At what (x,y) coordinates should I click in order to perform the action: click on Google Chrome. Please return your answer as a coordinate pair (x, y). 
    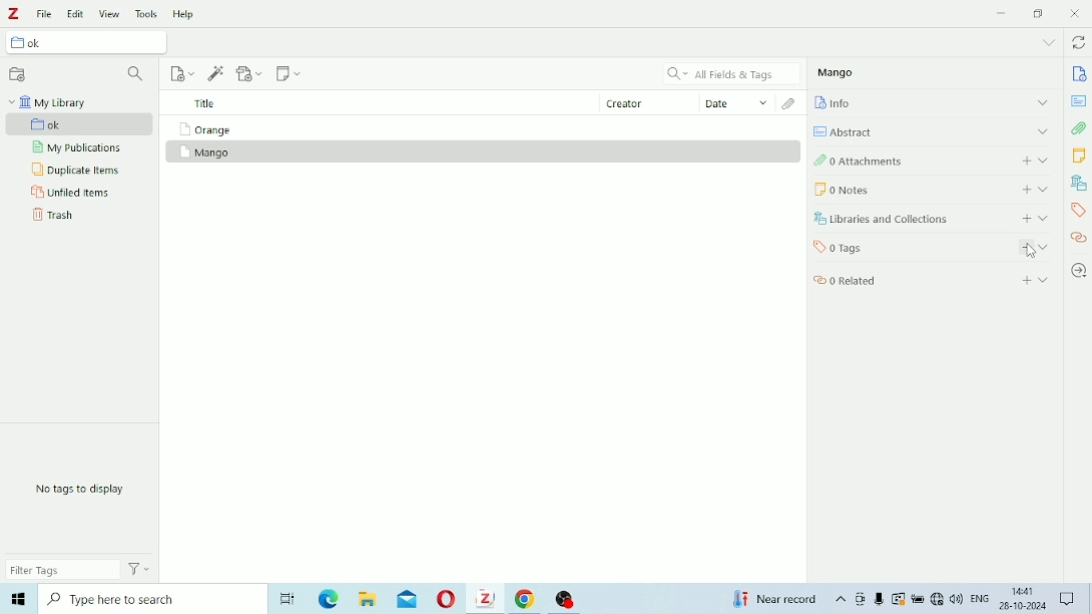
    Looking at the image, I should click on (526, 598).